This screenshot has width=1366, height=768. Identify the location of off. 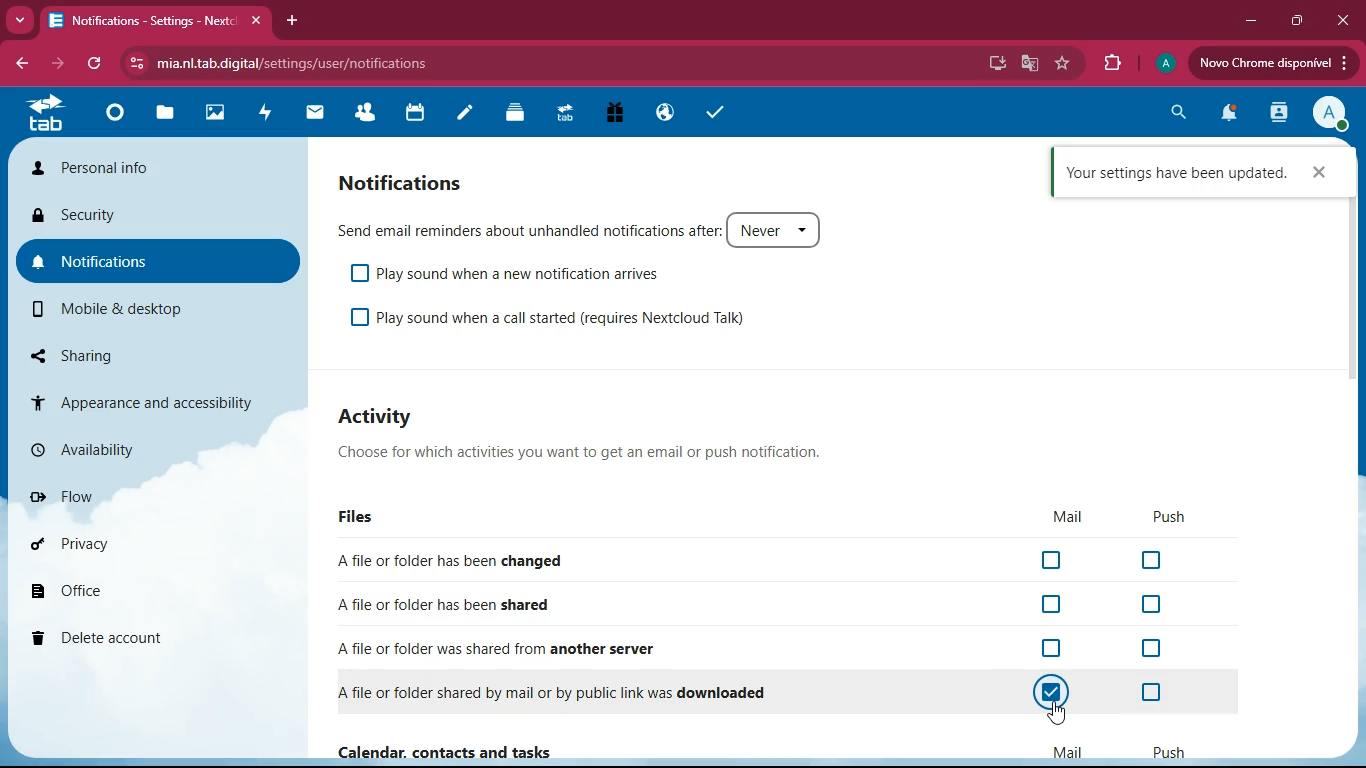
(1158, 692).